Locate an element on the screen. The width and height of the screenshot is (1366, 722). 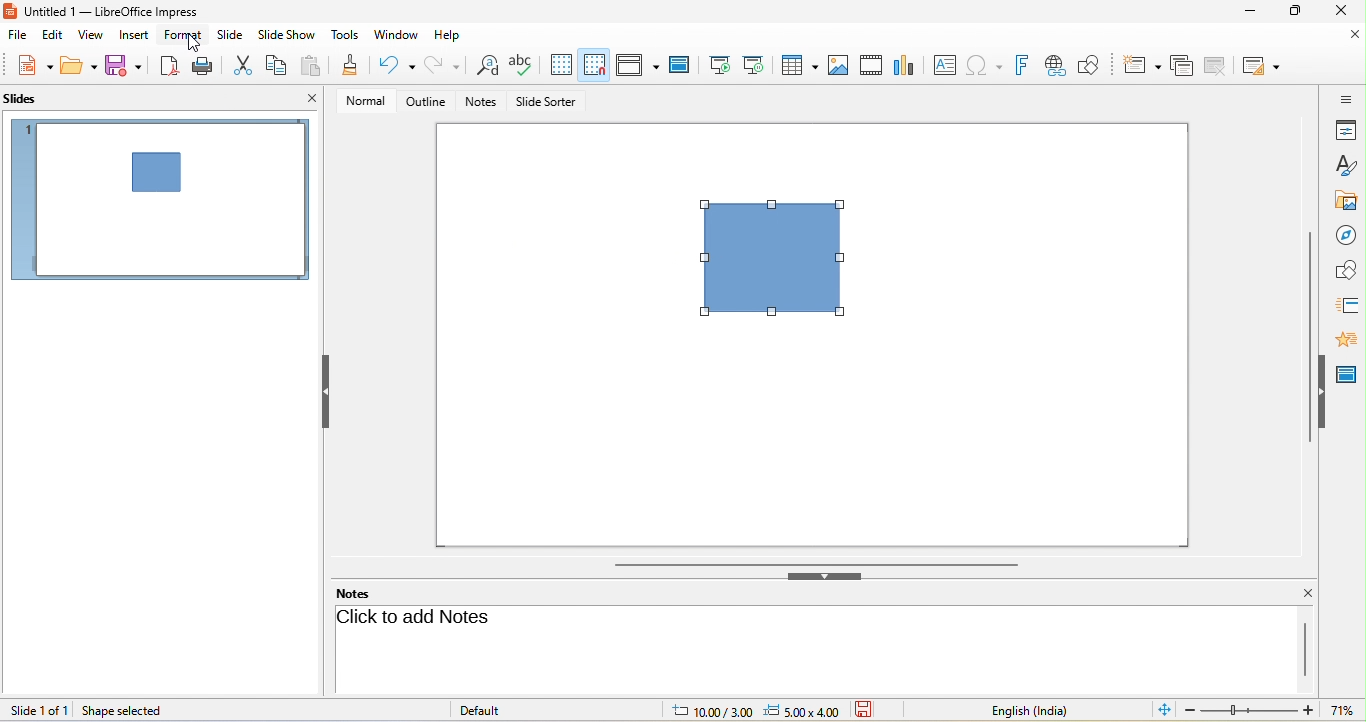
horizontal scroll bar is located at coordinates (817, 564).